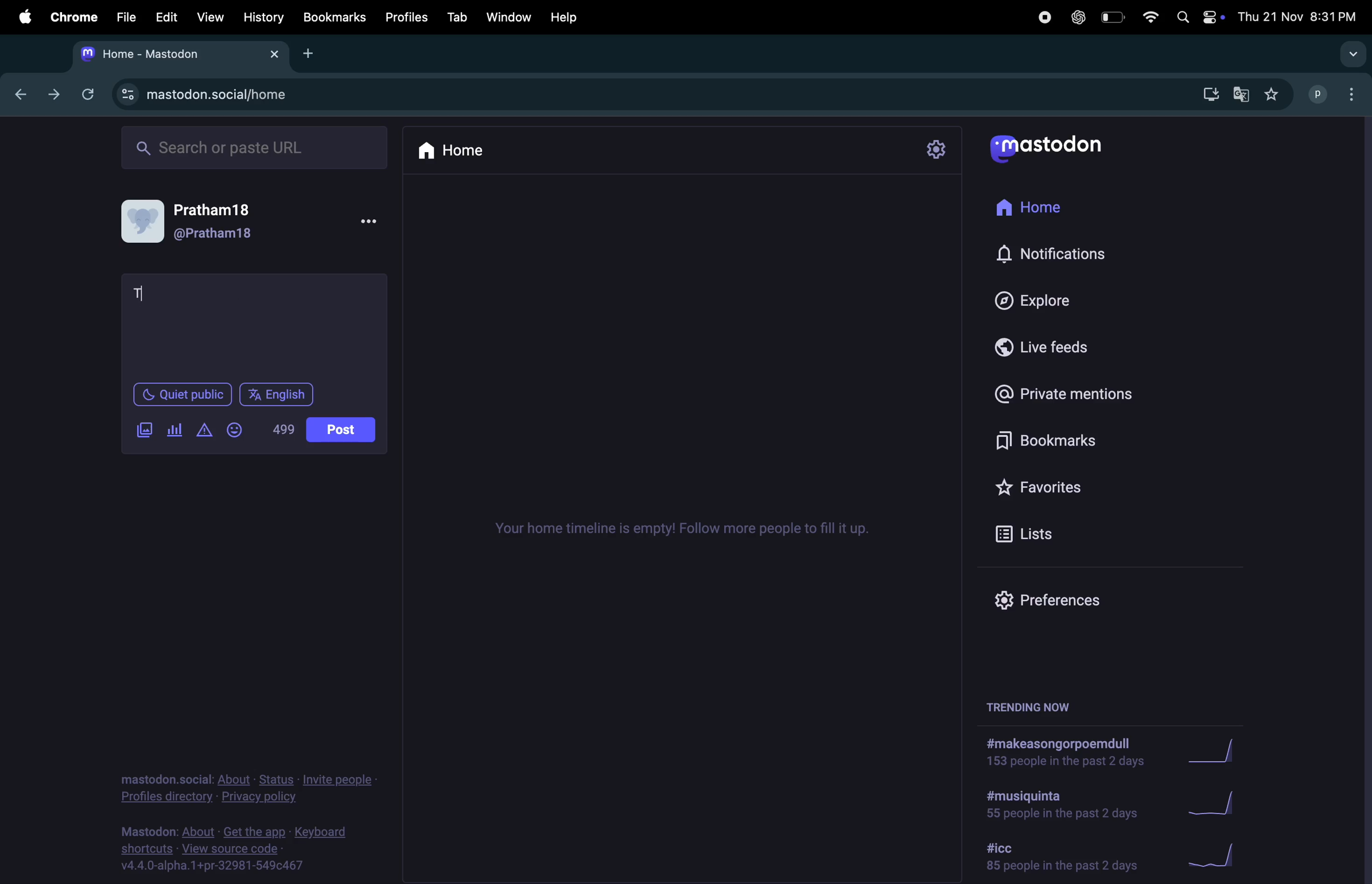 The width and height of the screenshot is (1372, 884). Describe the element at coordinates (1043, 300) in the screenshot. I see `explore` at that location.